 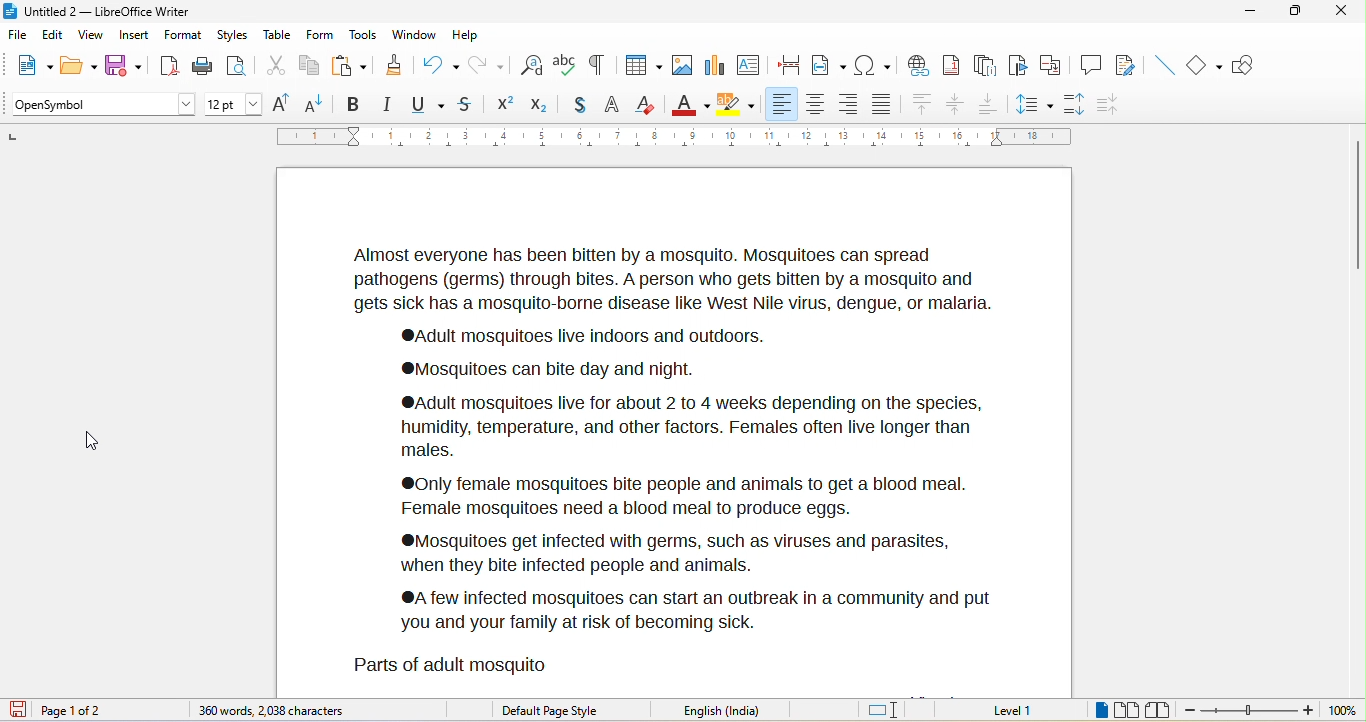 What do you see at coordinates (353, 103) in the screenshot?
I see `bold` at bounding box center [353, 103].